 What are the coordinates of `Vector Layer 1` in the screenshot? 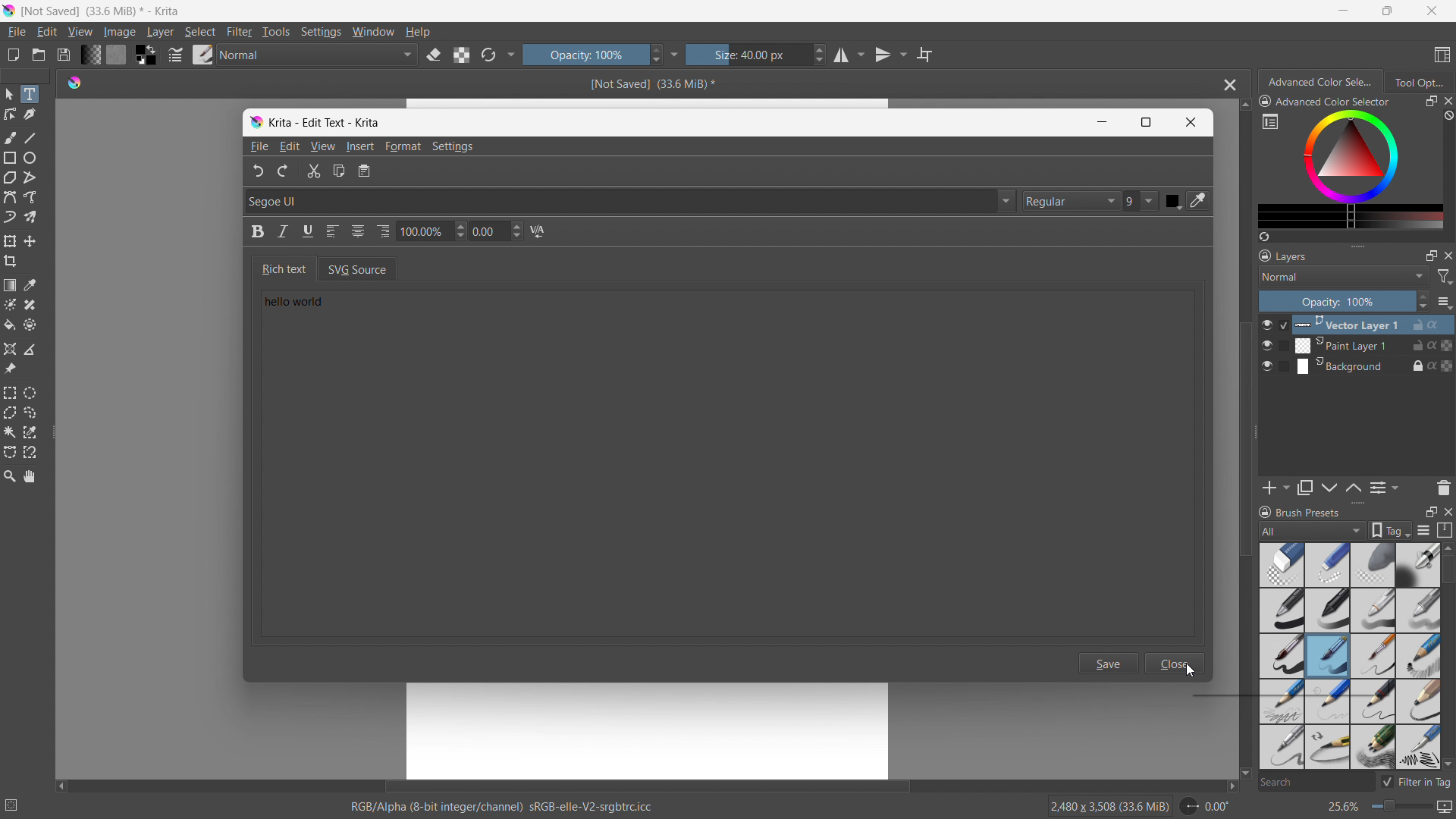 It's located at (1366, 324).